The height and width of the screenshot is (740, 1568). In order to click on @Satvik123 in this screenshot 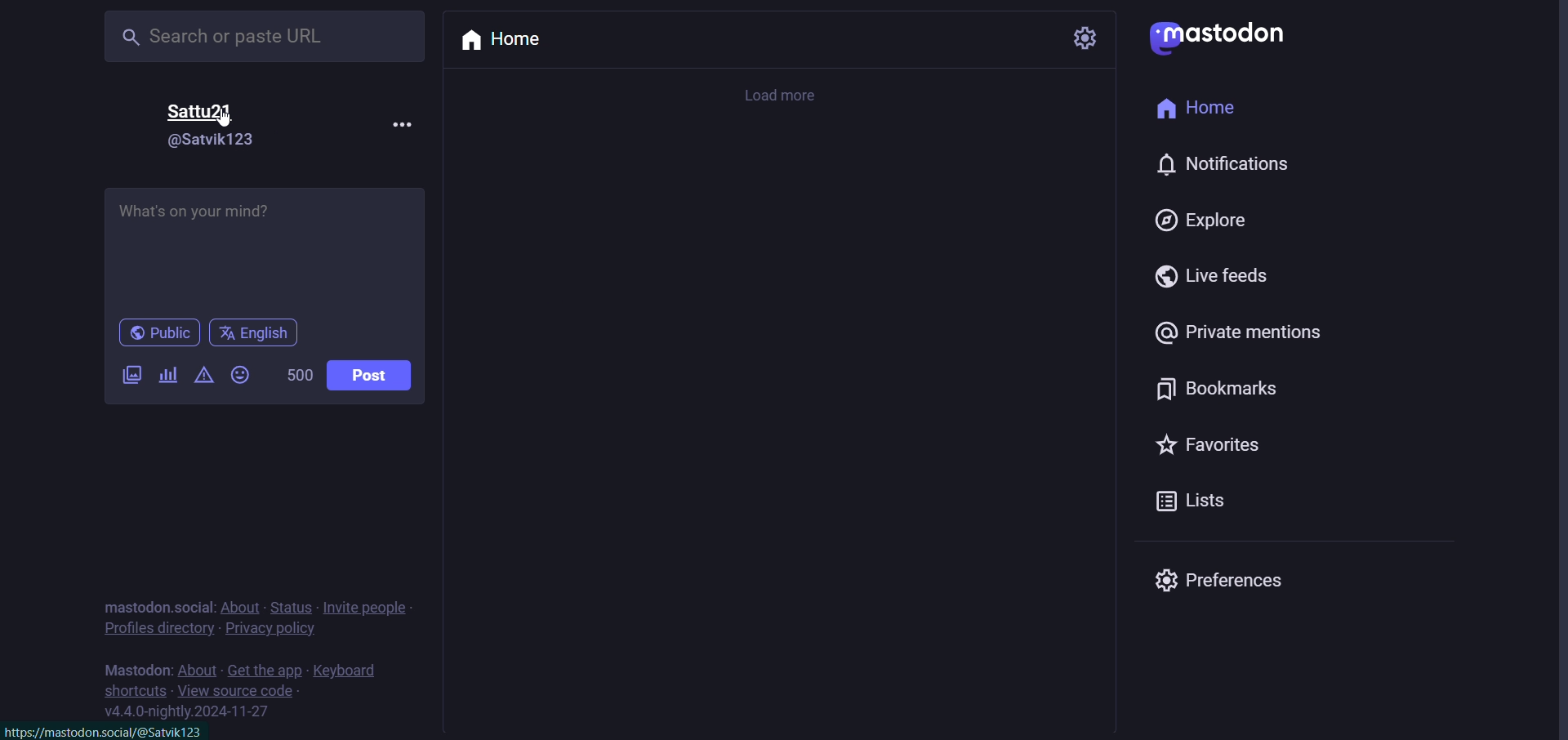, I will do `click(210, 140)`.